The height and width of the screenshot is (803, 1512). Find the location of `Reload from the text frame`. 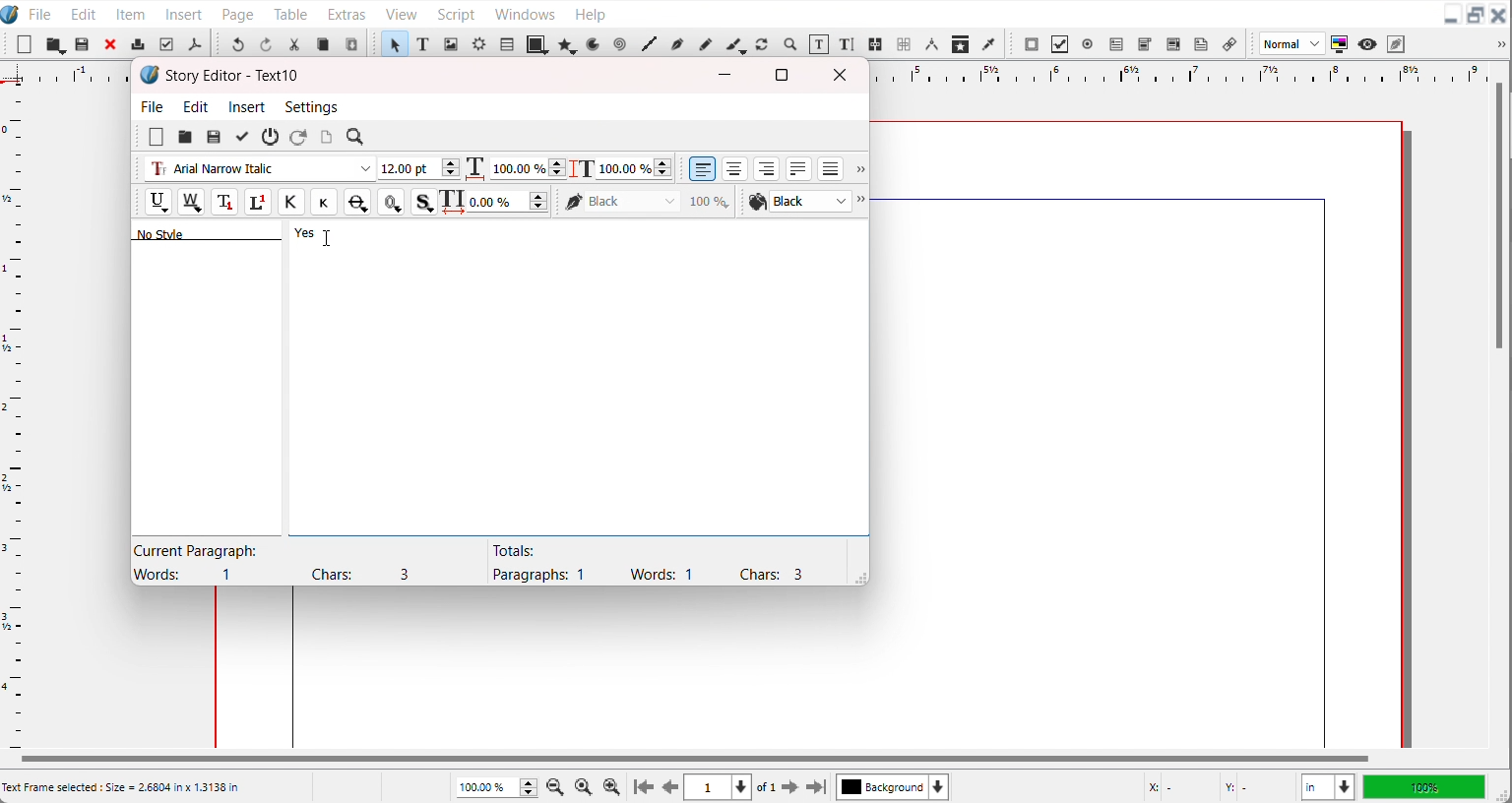

Reload from the text frame is located at coordinates (300, 137).